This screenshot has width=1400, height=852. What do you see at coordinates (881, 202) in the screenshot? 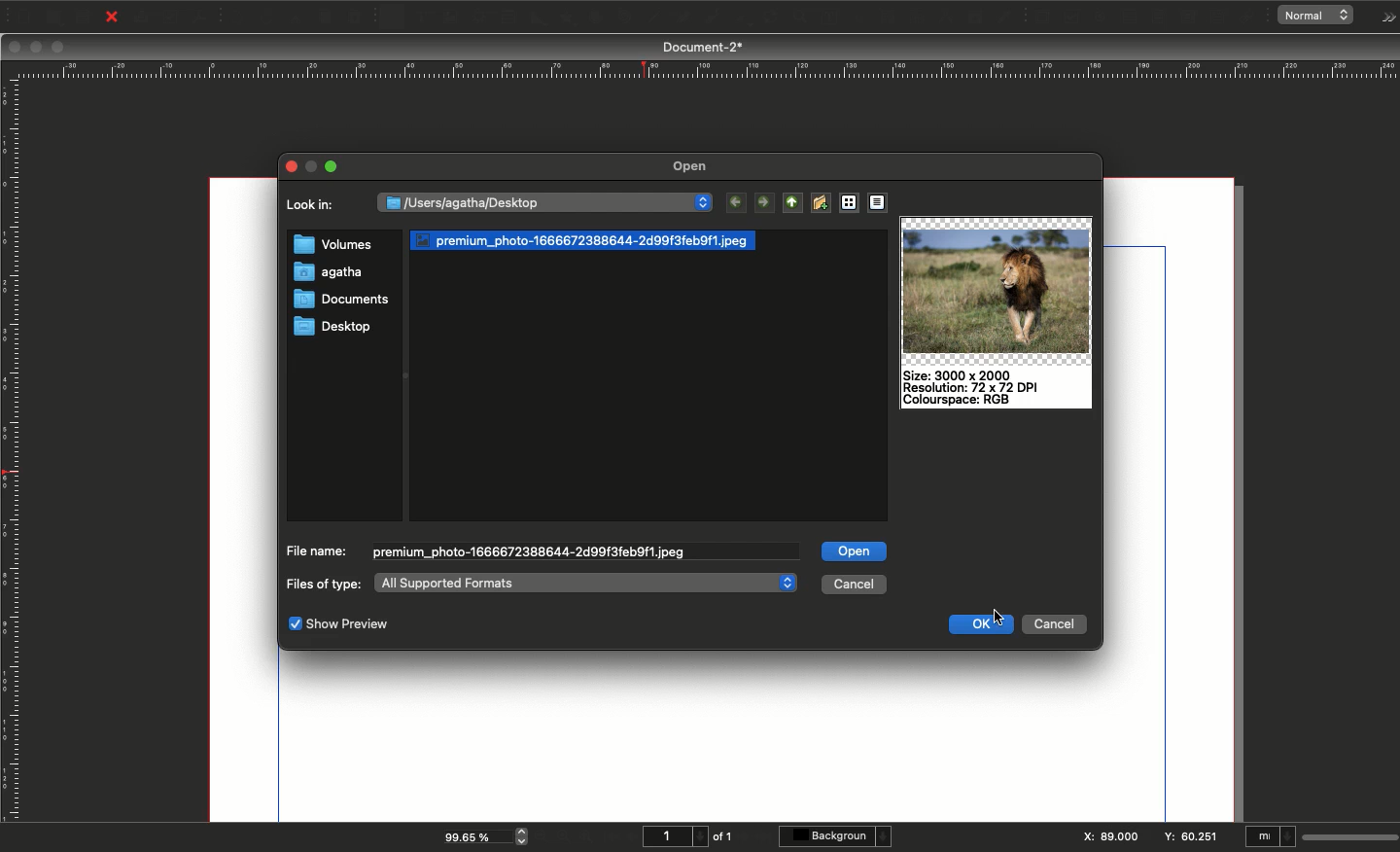
I see `List` at bounding box center [881, 202].